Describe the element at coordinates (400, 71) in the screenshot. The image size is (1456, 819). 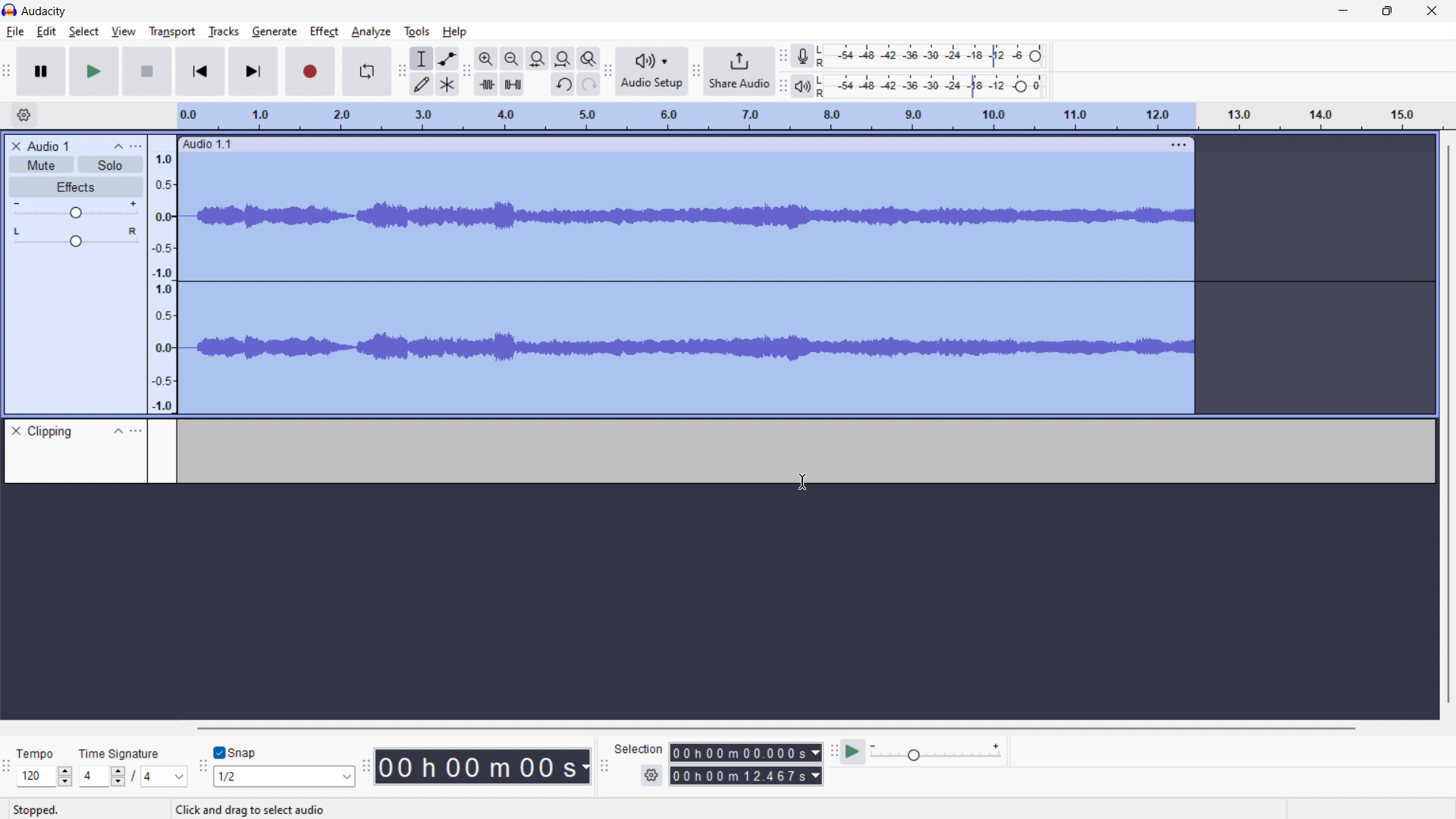
I see `` at that location.